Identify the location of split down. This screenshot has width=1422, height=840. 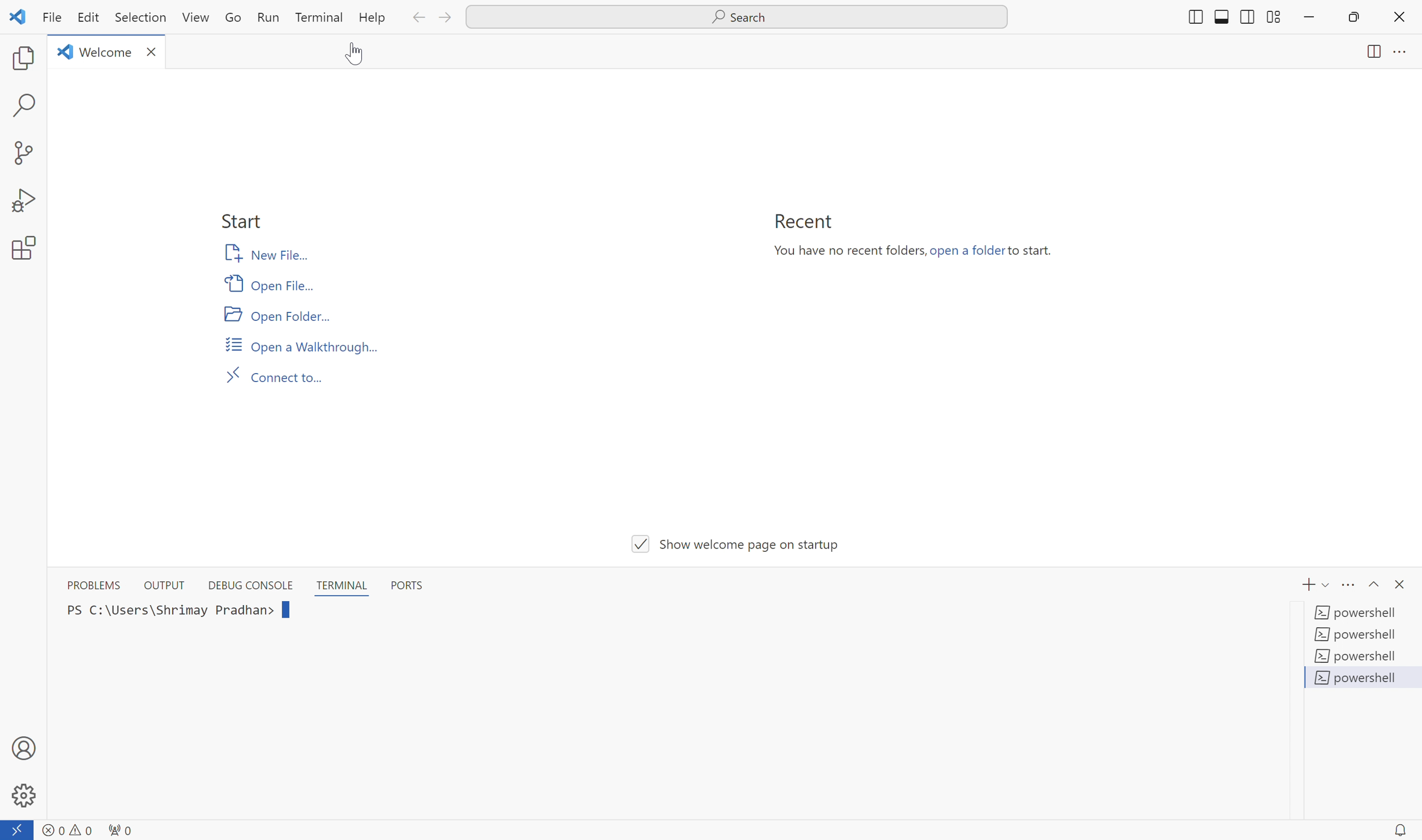
(1221, 19).